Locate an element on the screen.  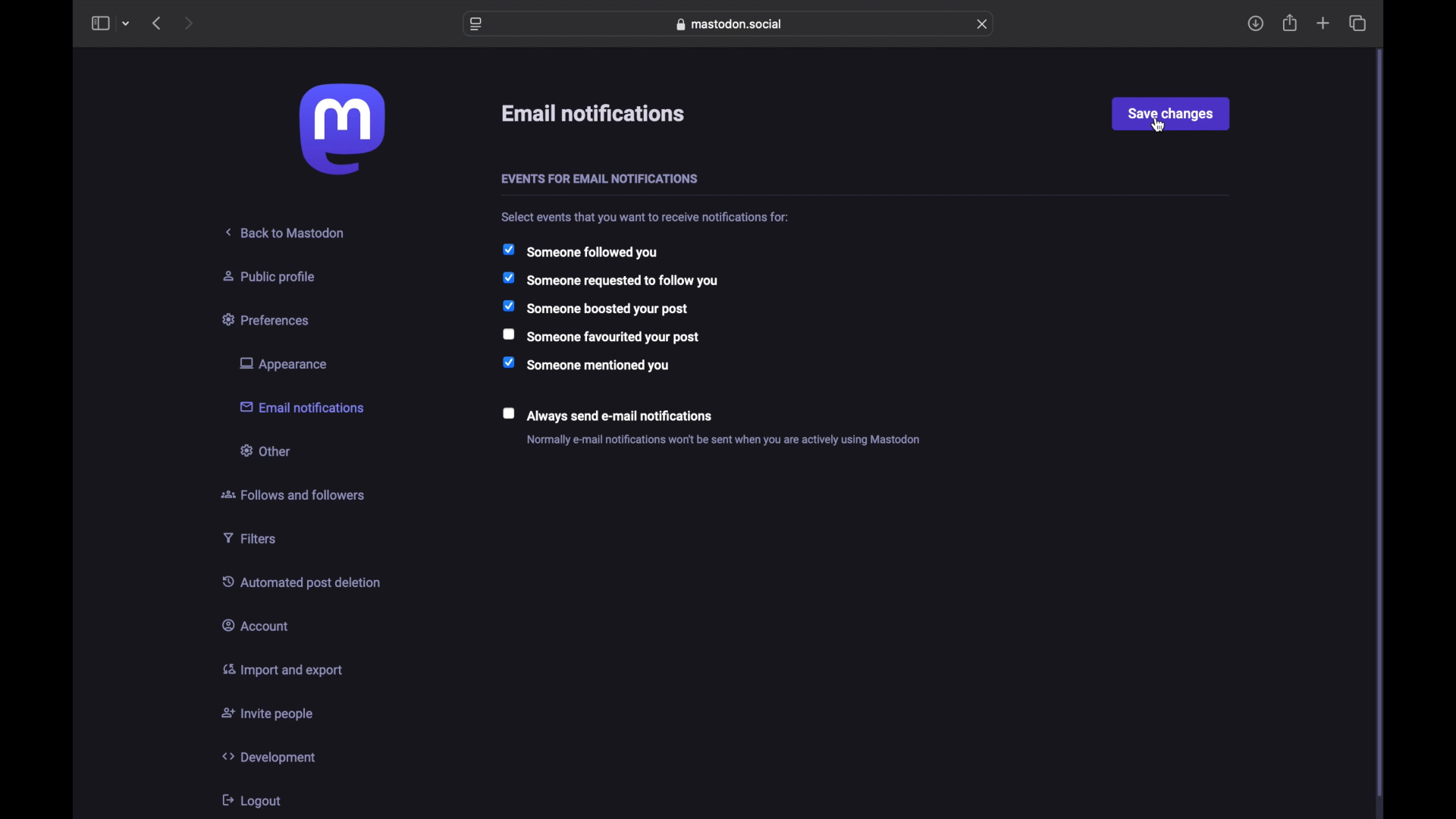
cursor is located at coordinates (1159, 124).